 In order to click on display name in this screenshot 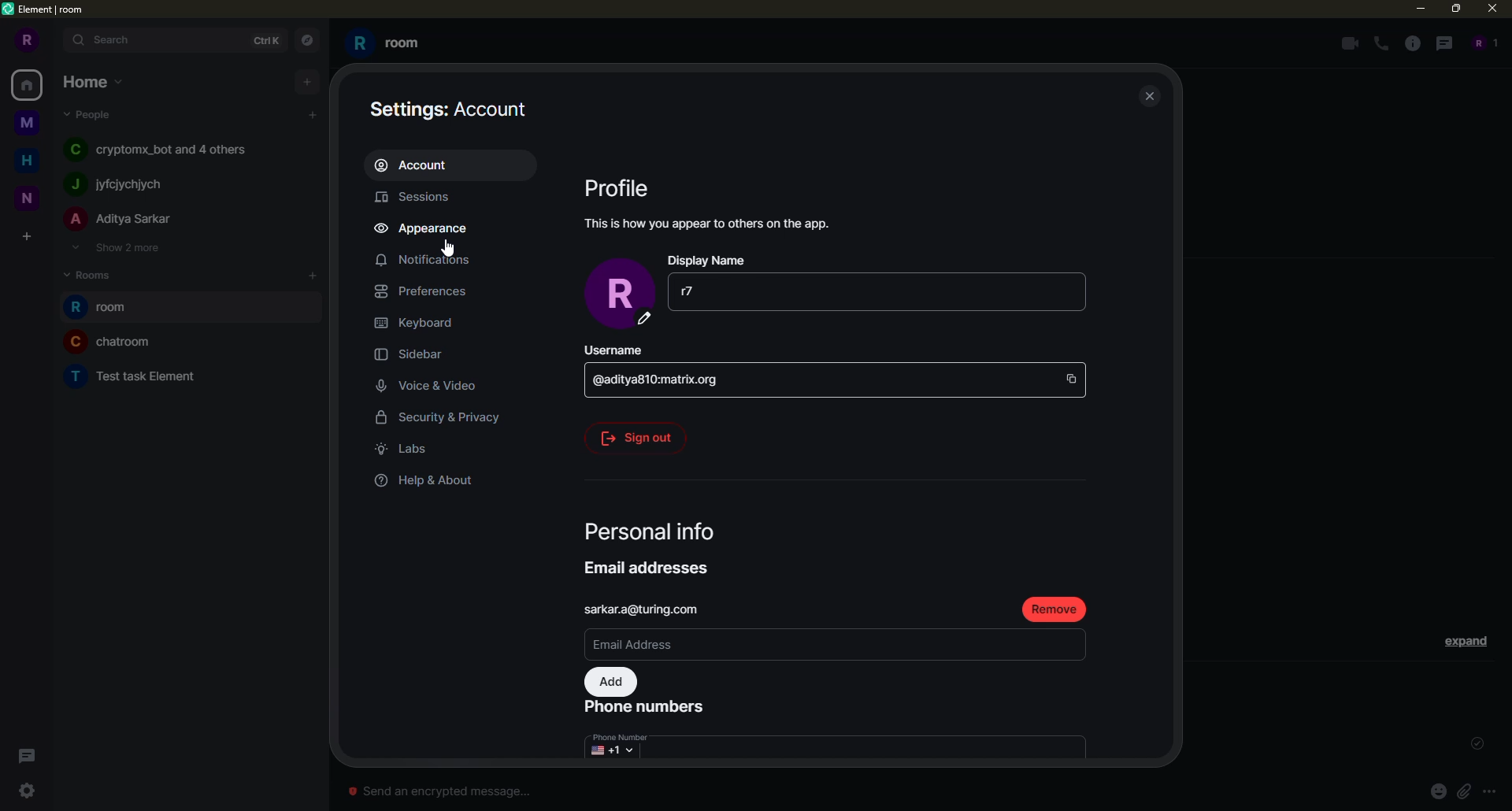, I will do `click(711, 261)`.